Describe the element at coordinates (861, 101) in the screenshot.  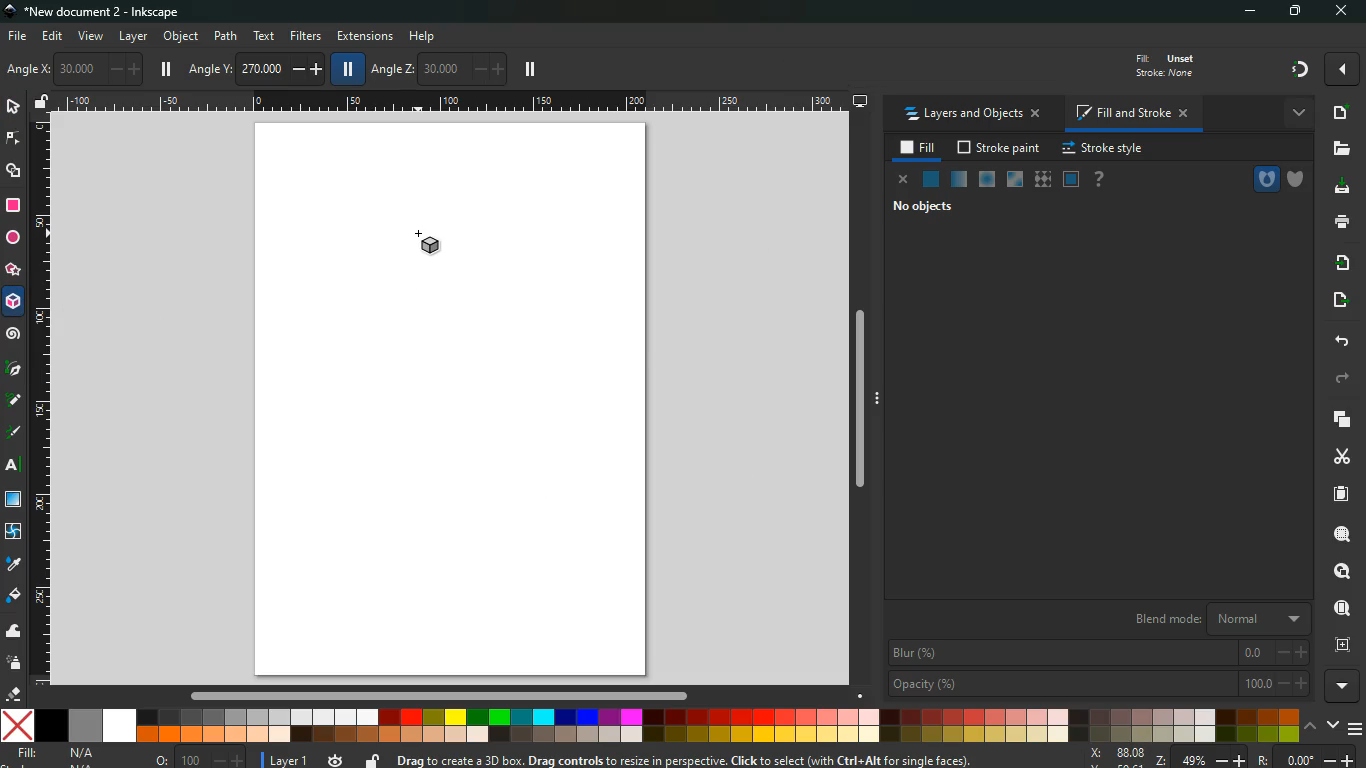
I see `desktop` at that location.